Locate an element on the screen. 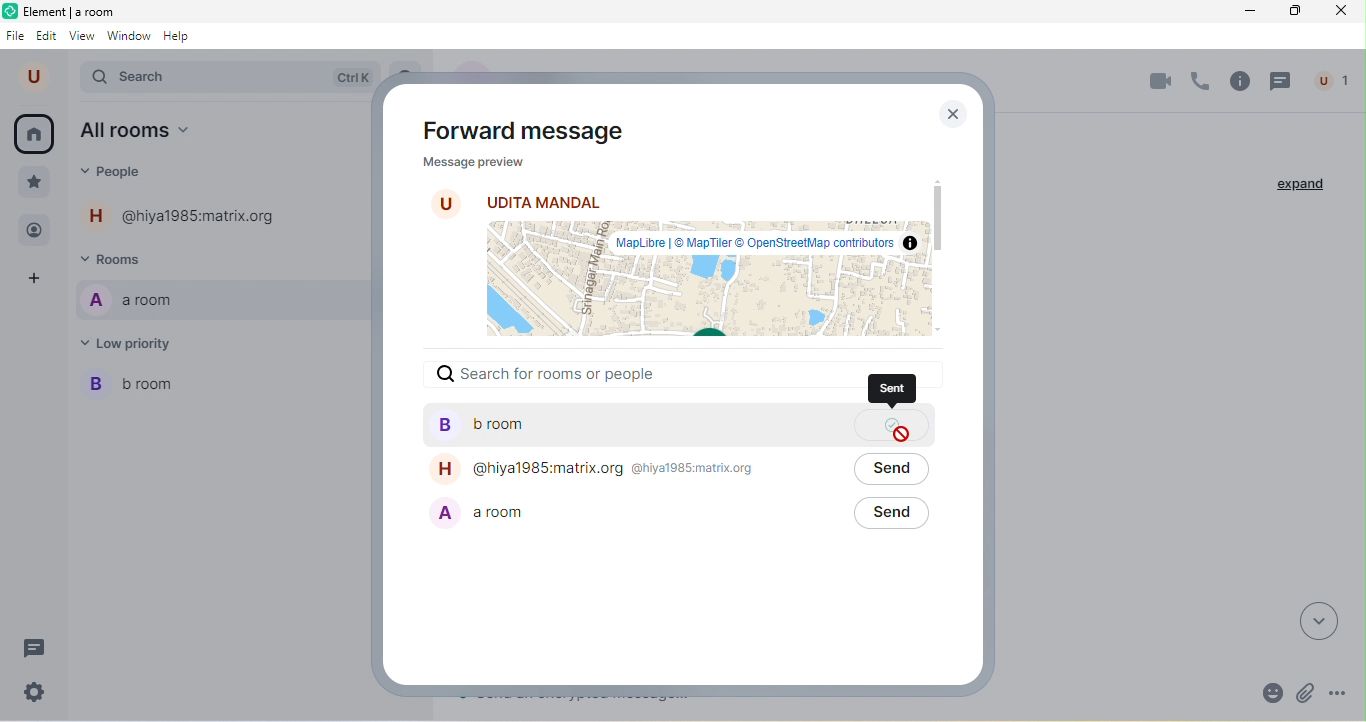 The height and width of the screenshot is (722, 1366). message sent is located at coordinates (891, 424).